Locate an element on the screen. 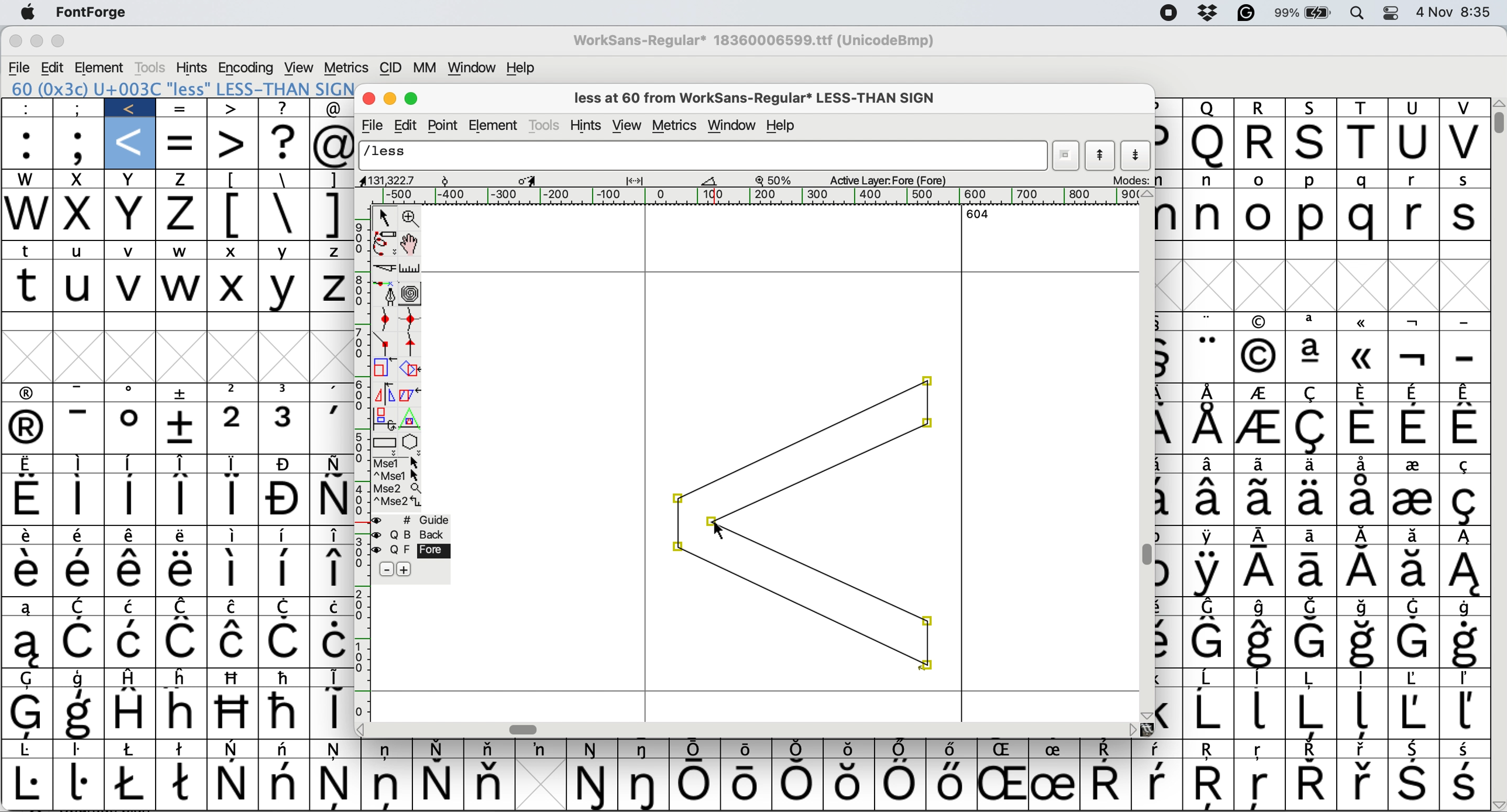  hints is located at coordinates (586, 125).